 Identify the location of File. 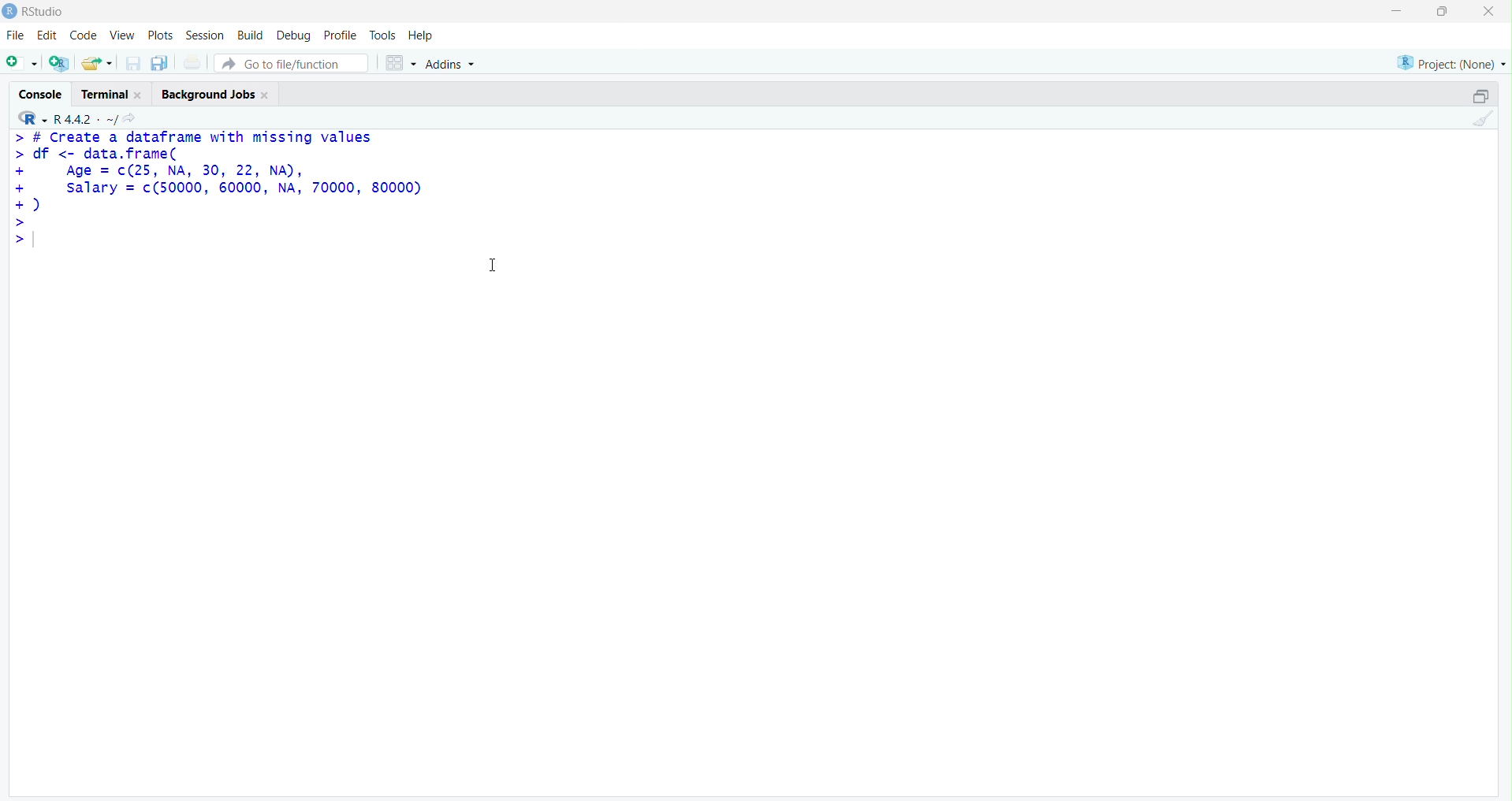
(14, 35).